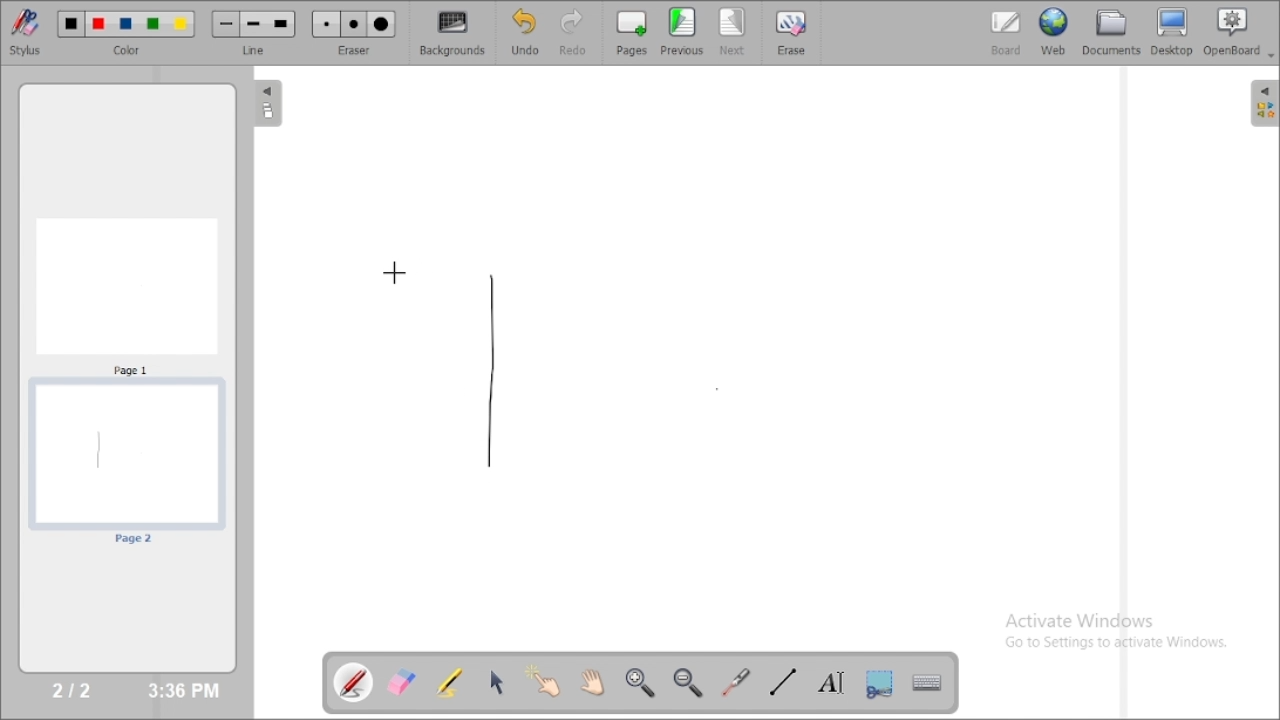  What do you see at coordinates (256, 50) in the screenshot?
I see `line` at bounding box center [256, 50].